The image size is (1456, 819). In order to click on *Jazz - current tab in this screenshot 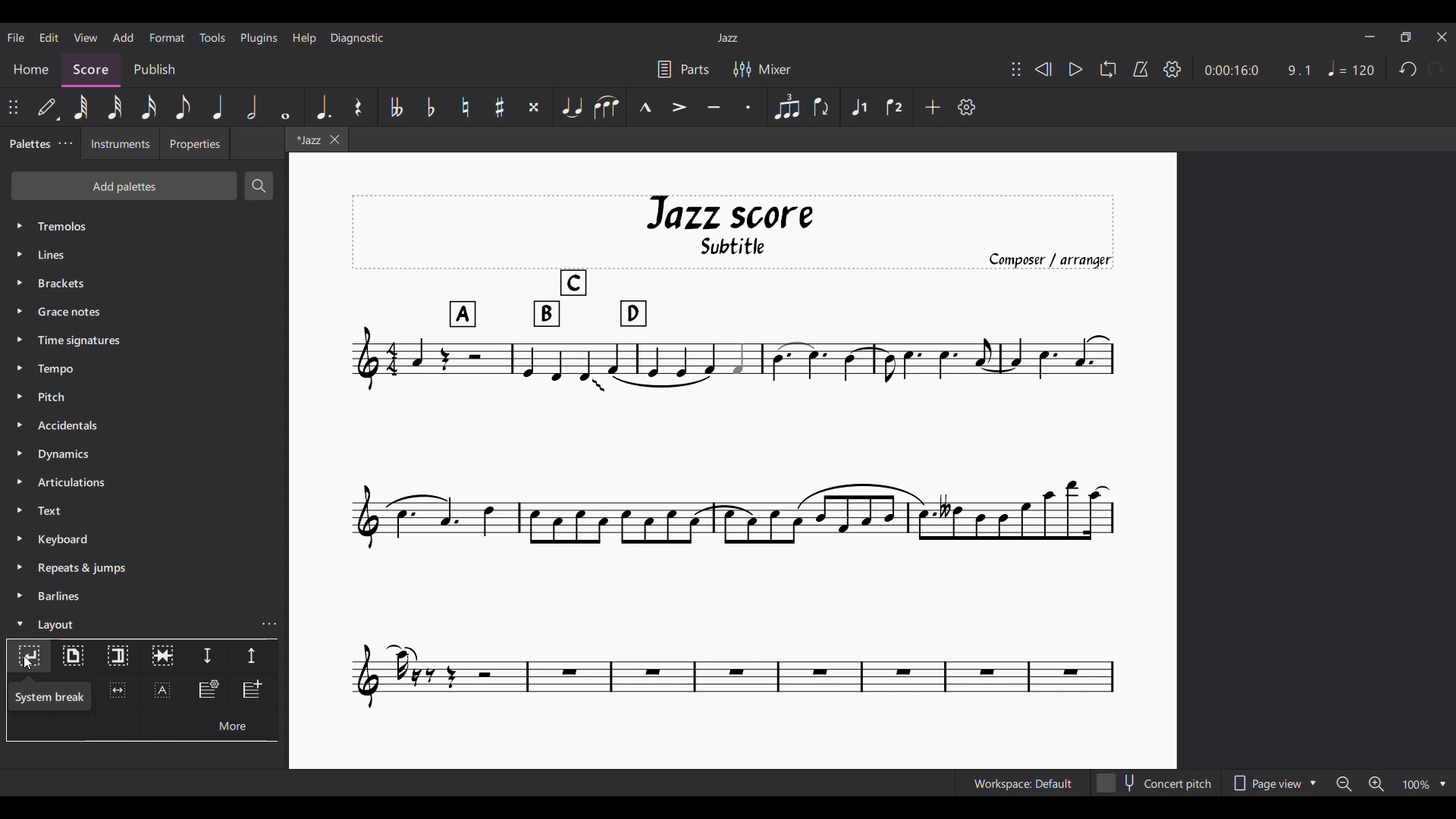, I will do `click(306, 139)`.